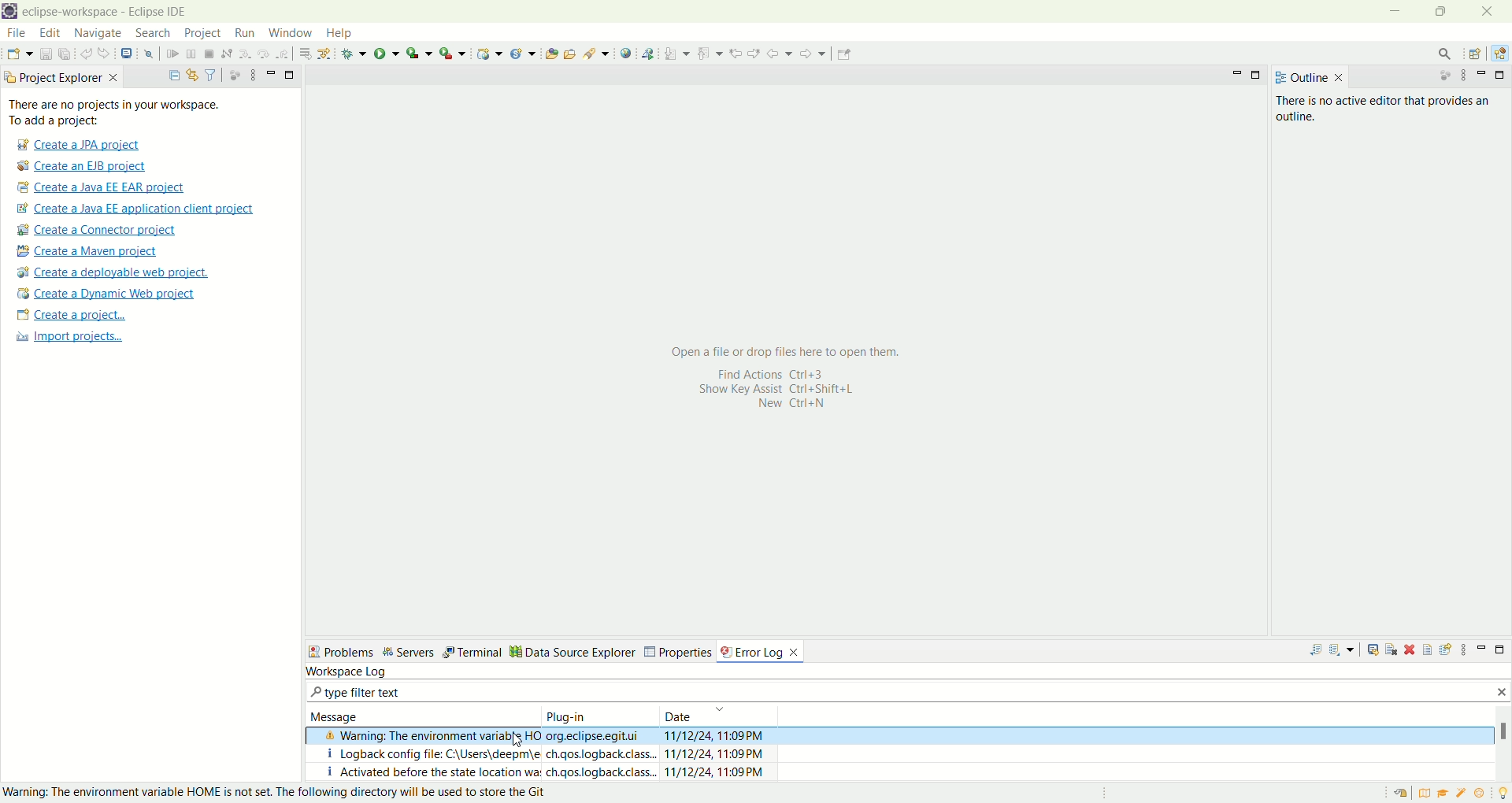 The height and width of the screenshot is (803, 1512). What do you see at coordinates (103, 188) in the screenshot?
I see `create a Java EE EAR project` at bounding box center [103, 188].